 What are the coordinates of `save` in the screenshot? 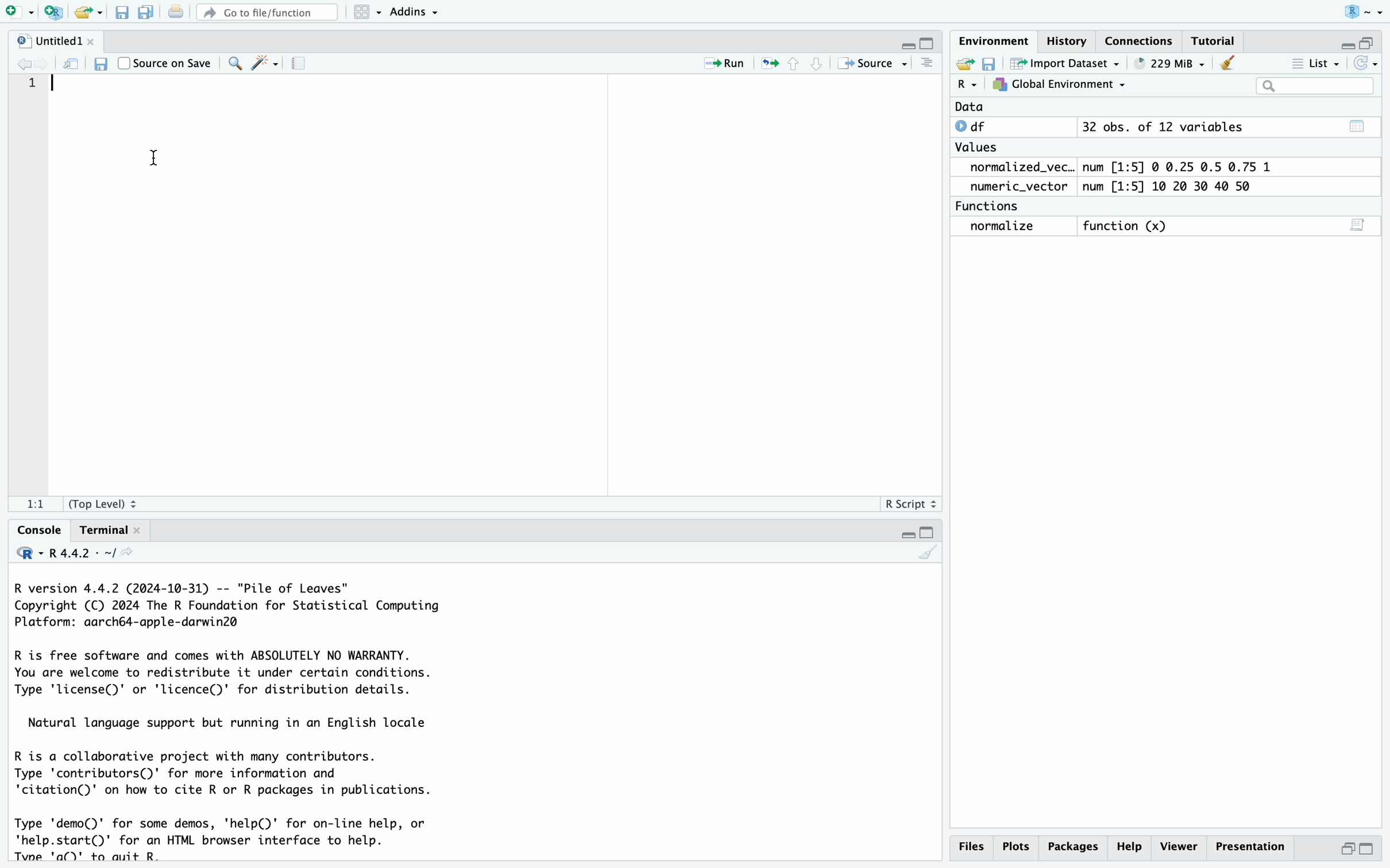 It's located at (122, 14).